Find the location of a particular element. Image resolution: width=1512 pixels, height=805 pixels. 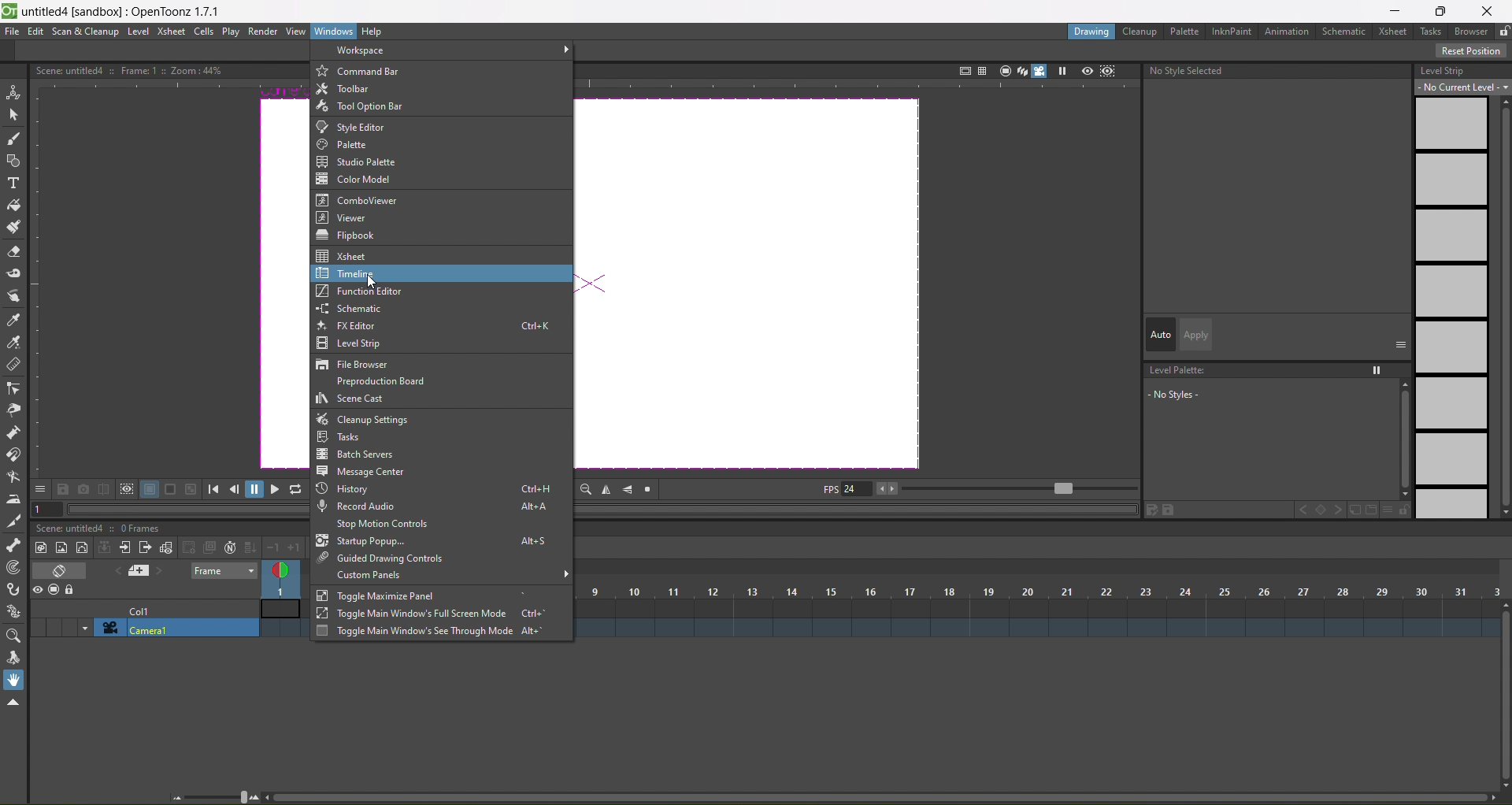

render is located at coordinates (264, 32).